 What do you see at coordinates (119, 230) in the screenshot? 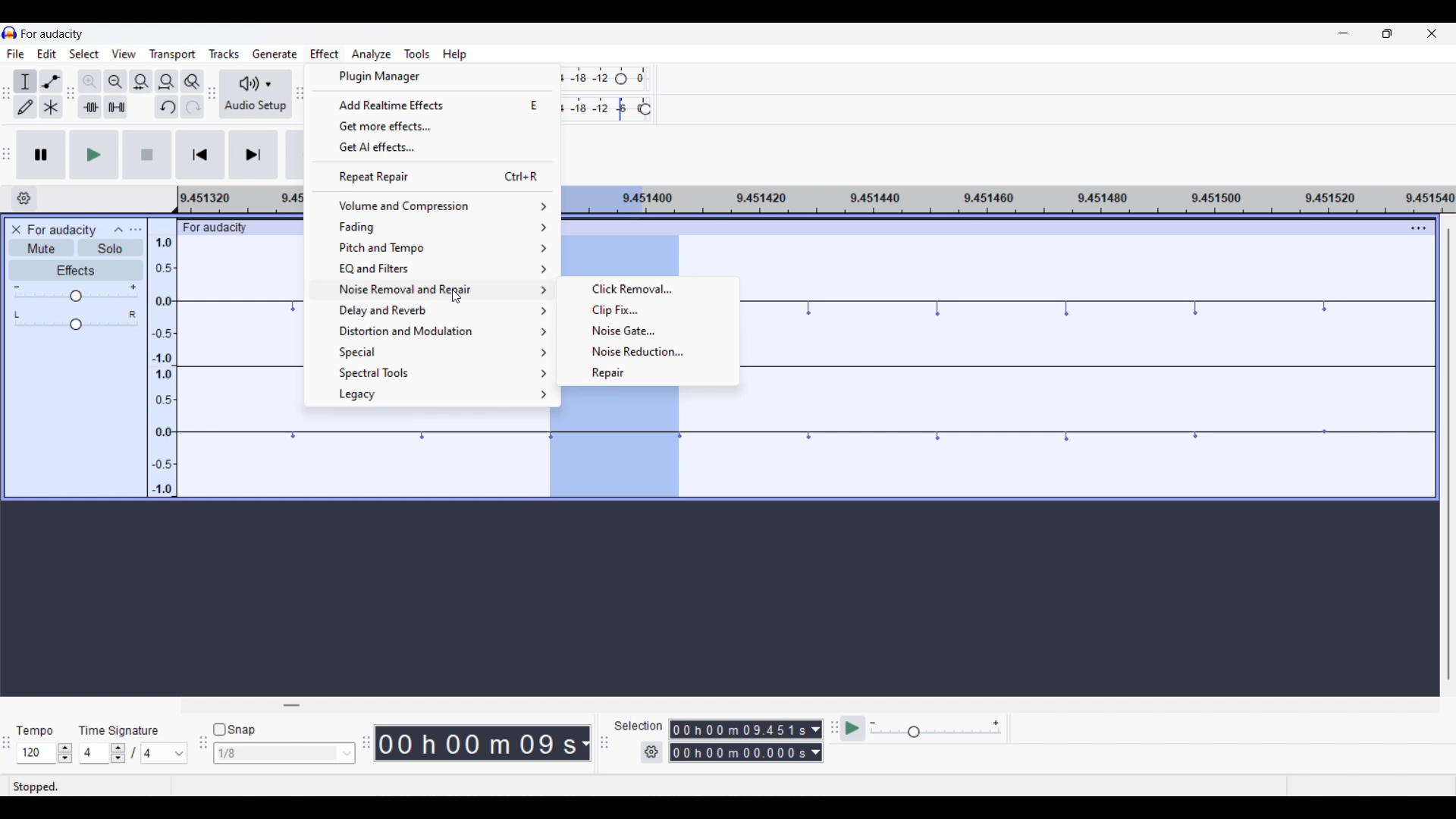
I see `Collapse` at bounding box center [119, 230].